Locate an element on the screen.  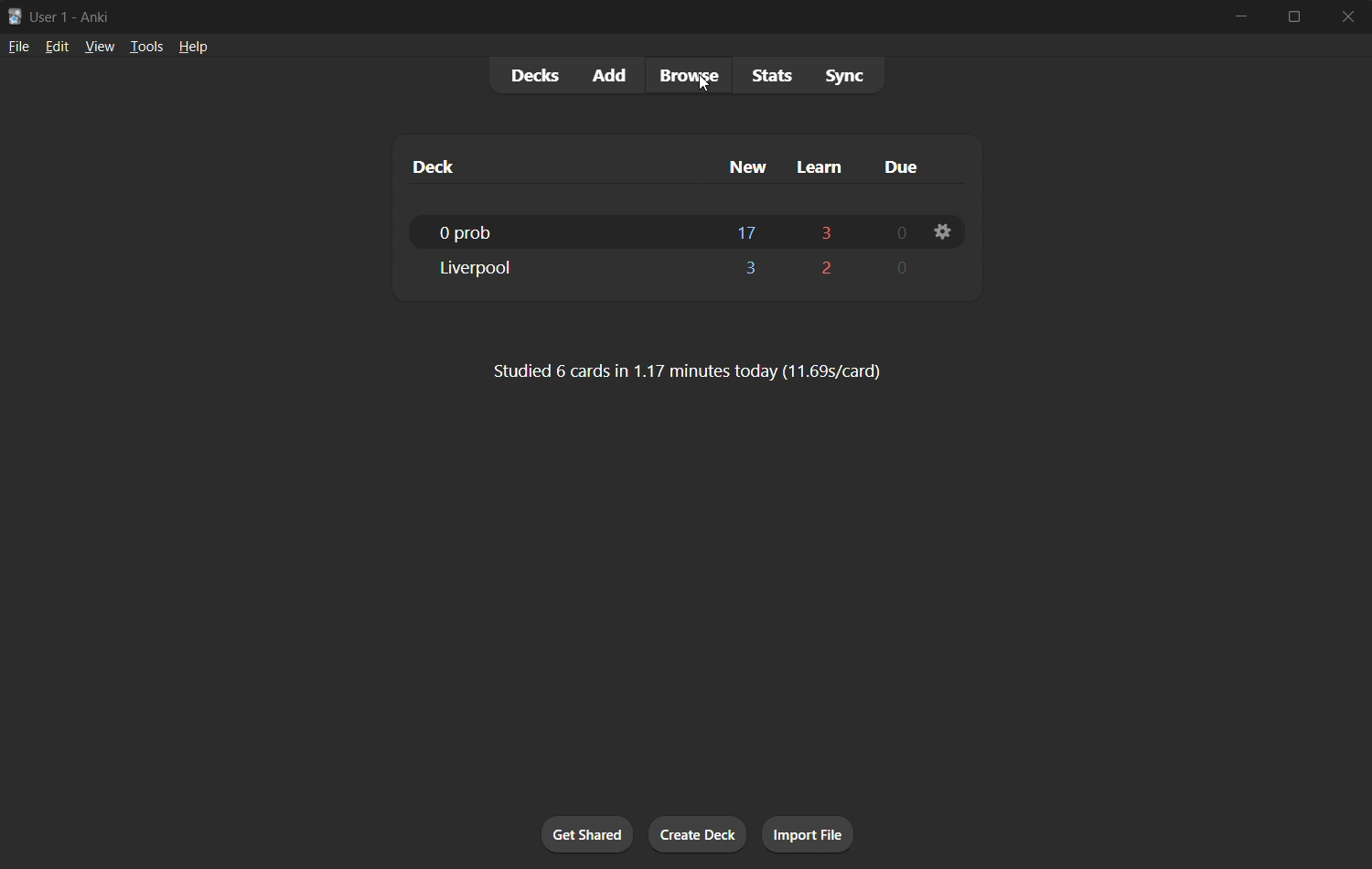
due cards column is located at coordinates (902, 165).